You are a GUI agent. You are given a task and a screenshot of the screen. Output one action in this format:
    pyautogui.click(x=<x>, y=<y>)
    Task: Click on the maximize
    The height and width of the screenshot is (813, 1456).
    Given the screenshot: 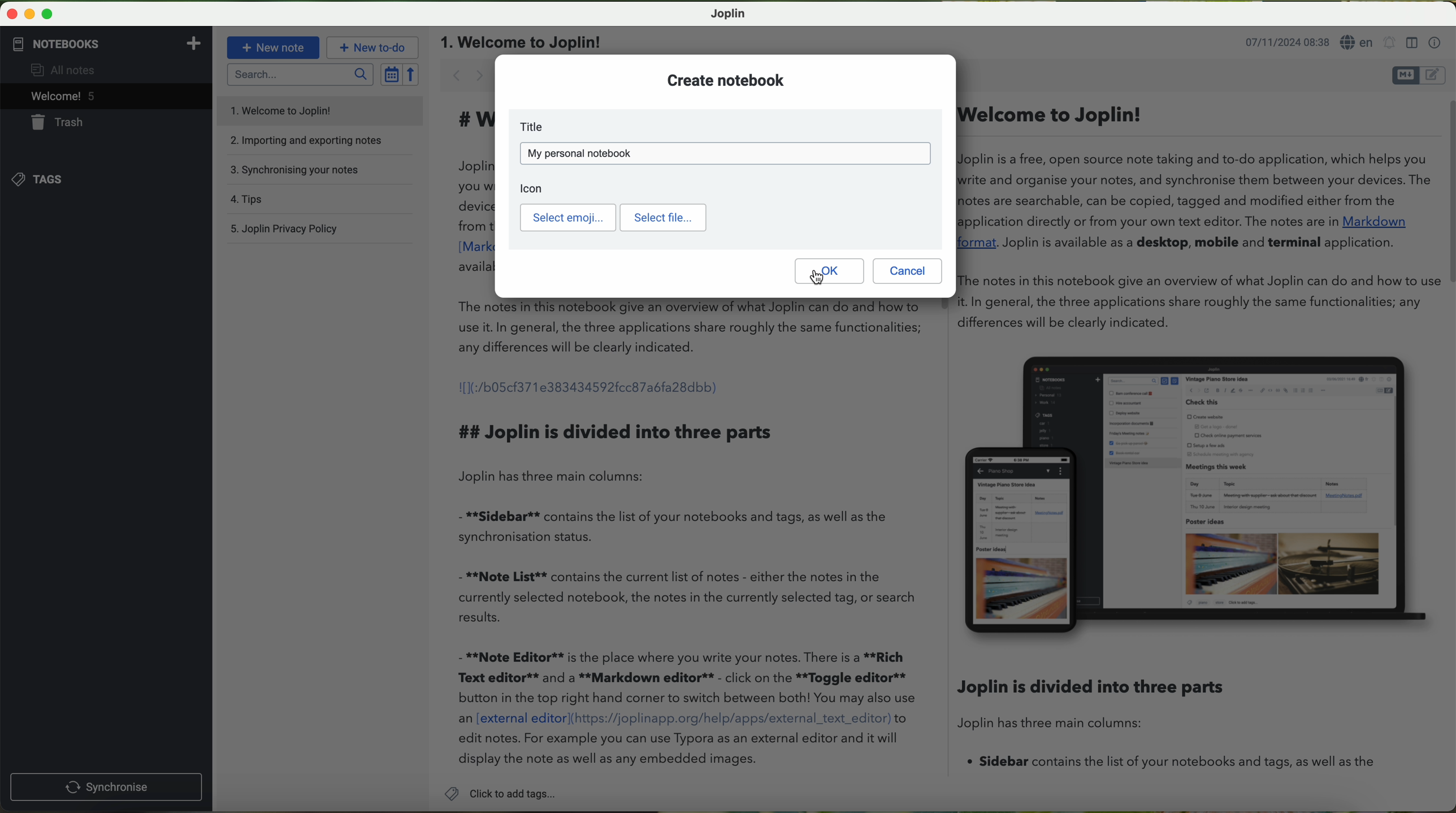 What is the action you would take?
    pyautogui.click(x=47, y=15)
    